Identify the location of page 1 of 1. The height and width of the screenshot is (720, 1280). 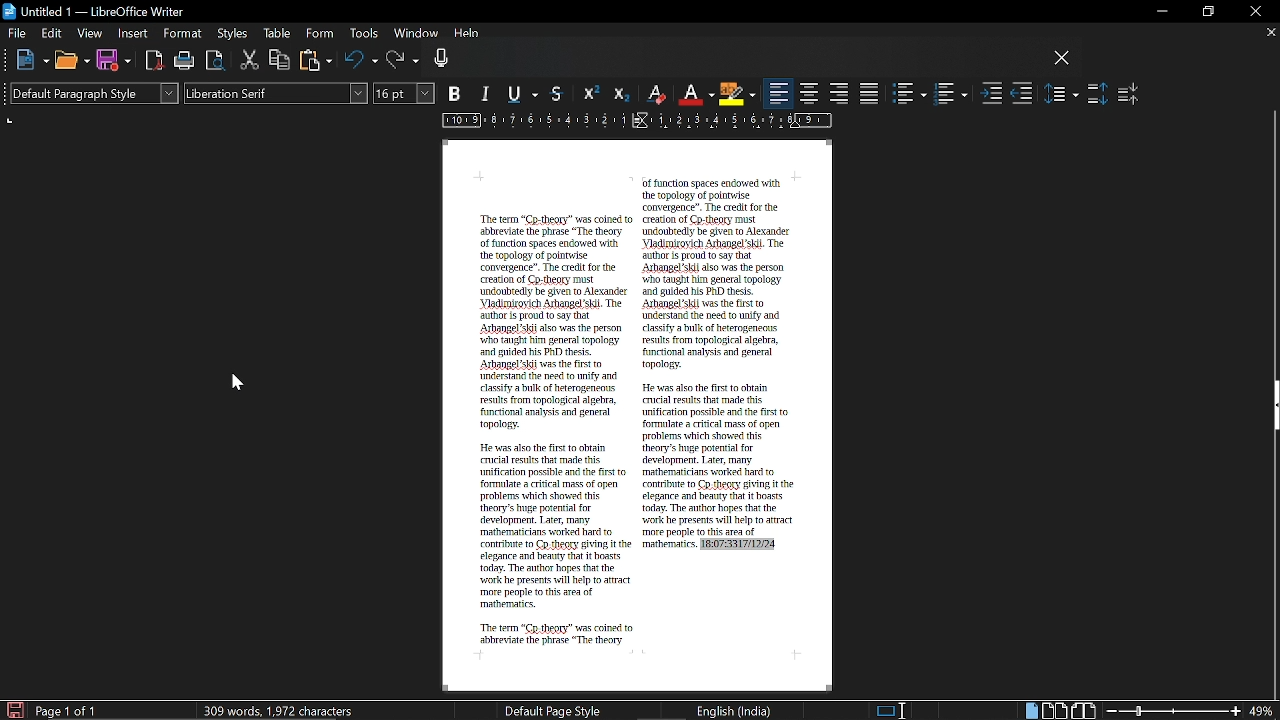
(70, 711).